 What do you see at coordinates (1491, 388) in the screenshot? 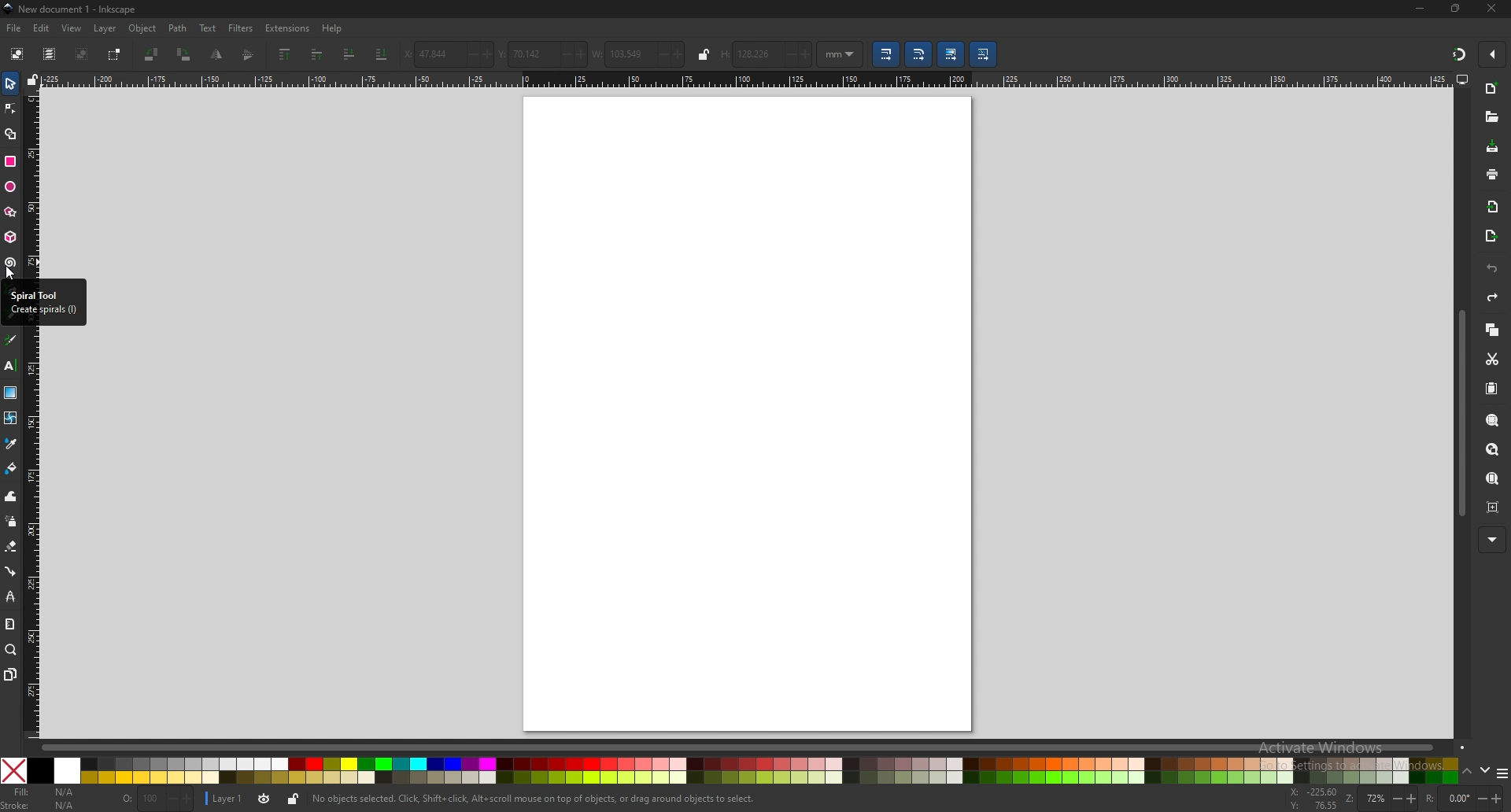
I see `paste` at bounding box center [1491, 388].